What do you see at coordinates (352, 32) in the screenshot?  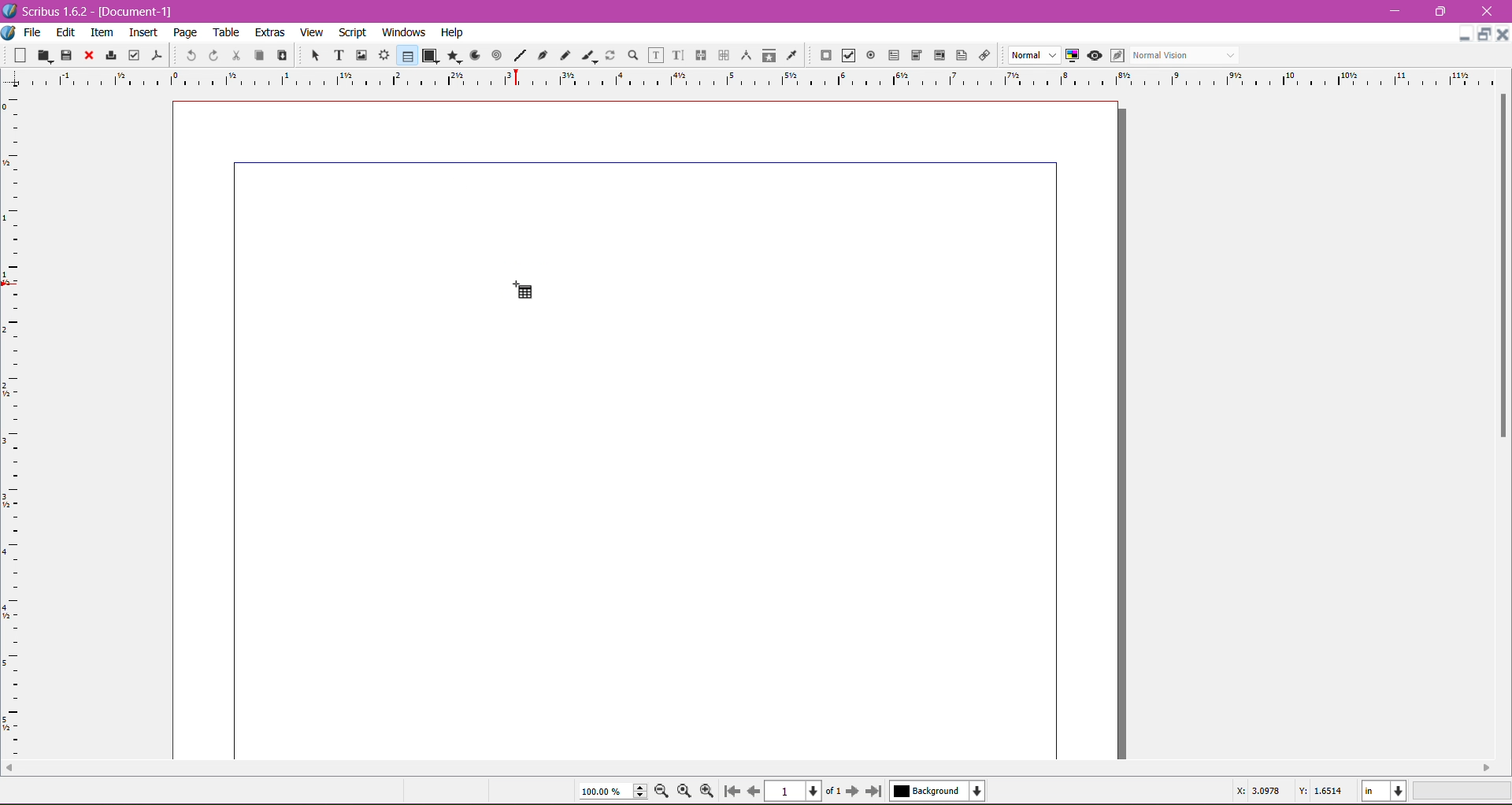 I see `` at bounding box center [352, 32].